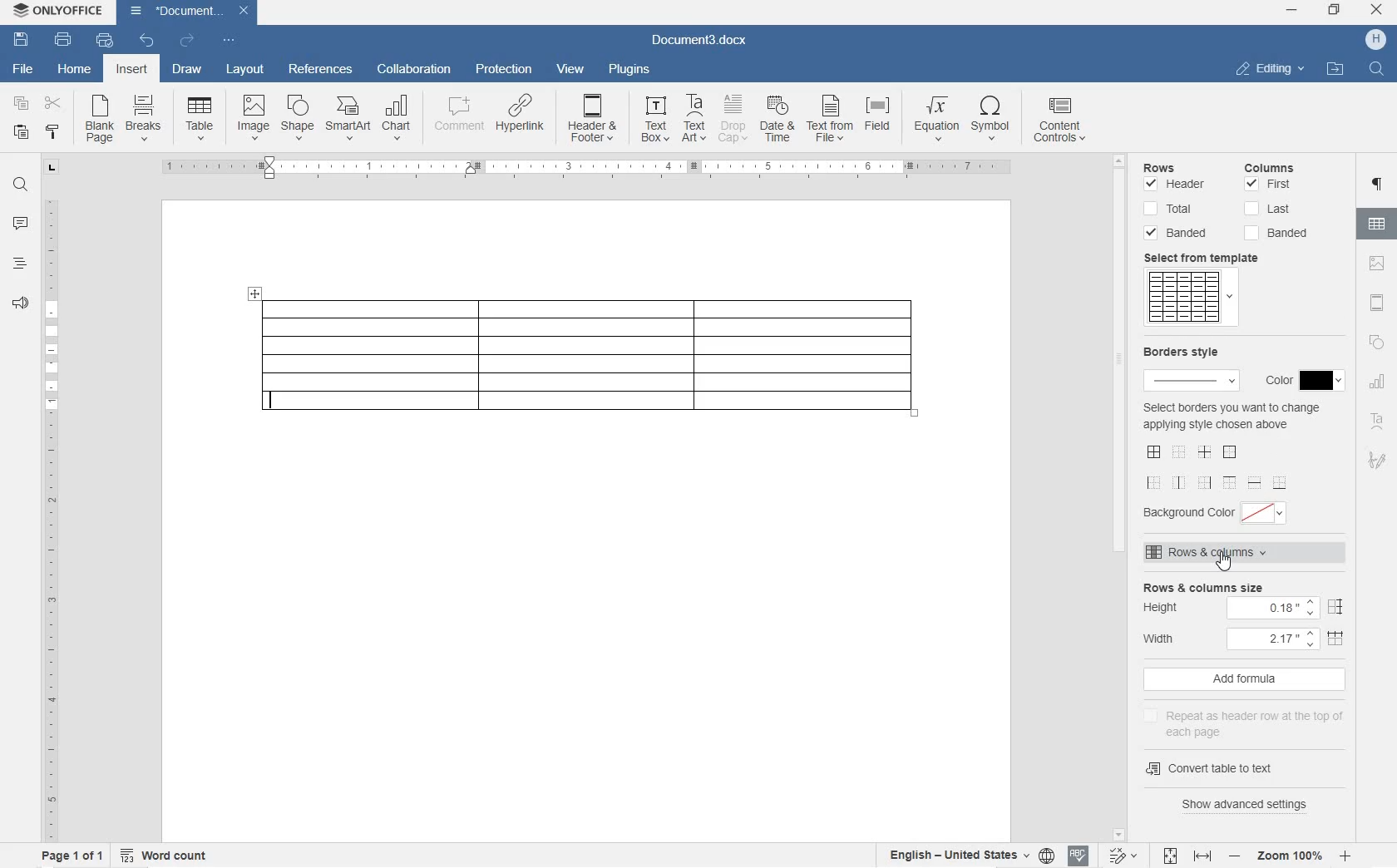 This screenshot has height=868, width=1397. What do you see at coordinates (1268, 209) in the screenshot?
I see `Last` at bounding box center [1268, 209].